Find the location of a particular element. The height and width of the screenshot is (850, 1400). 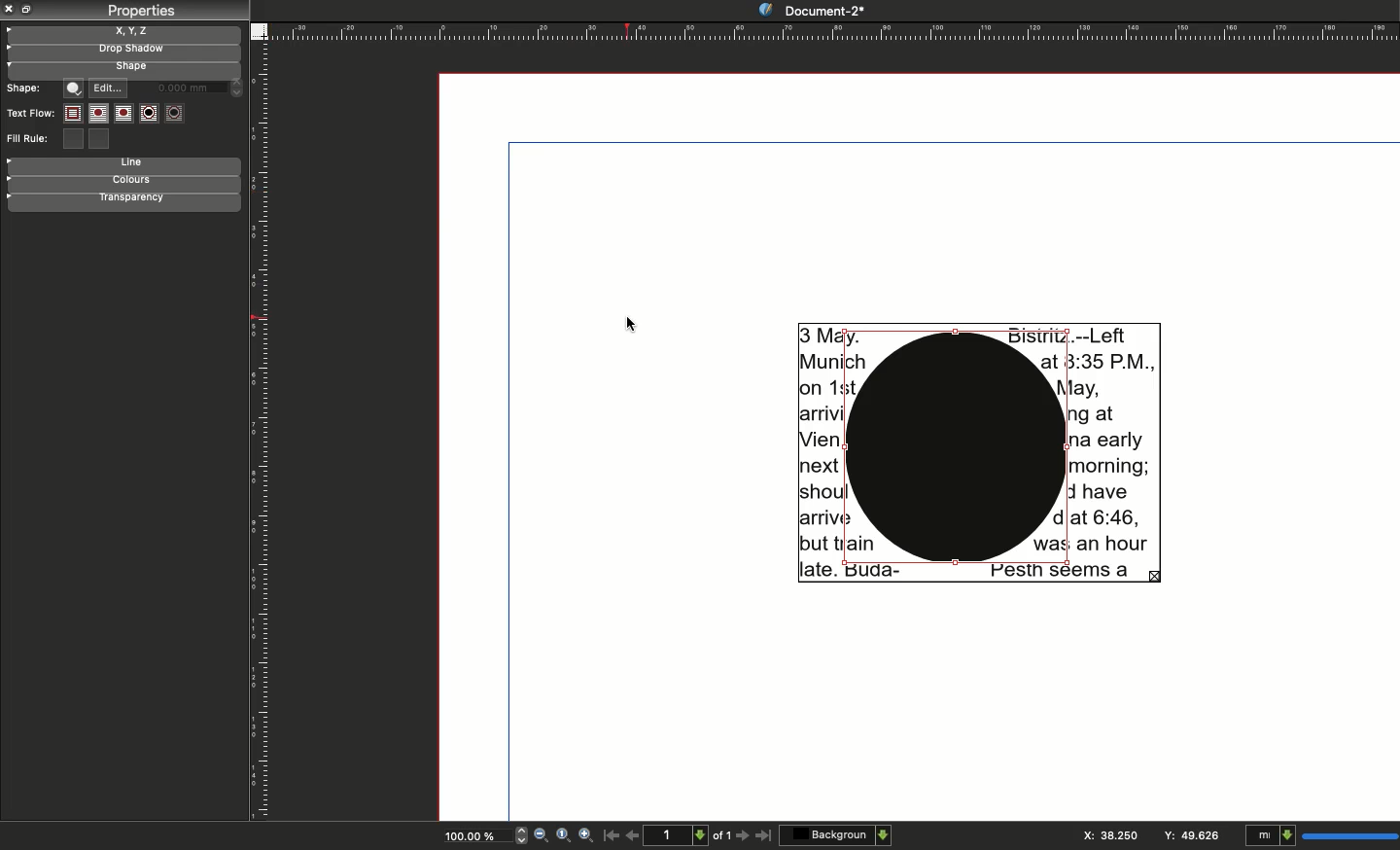

0.0 is located at coordinates (196, 85).